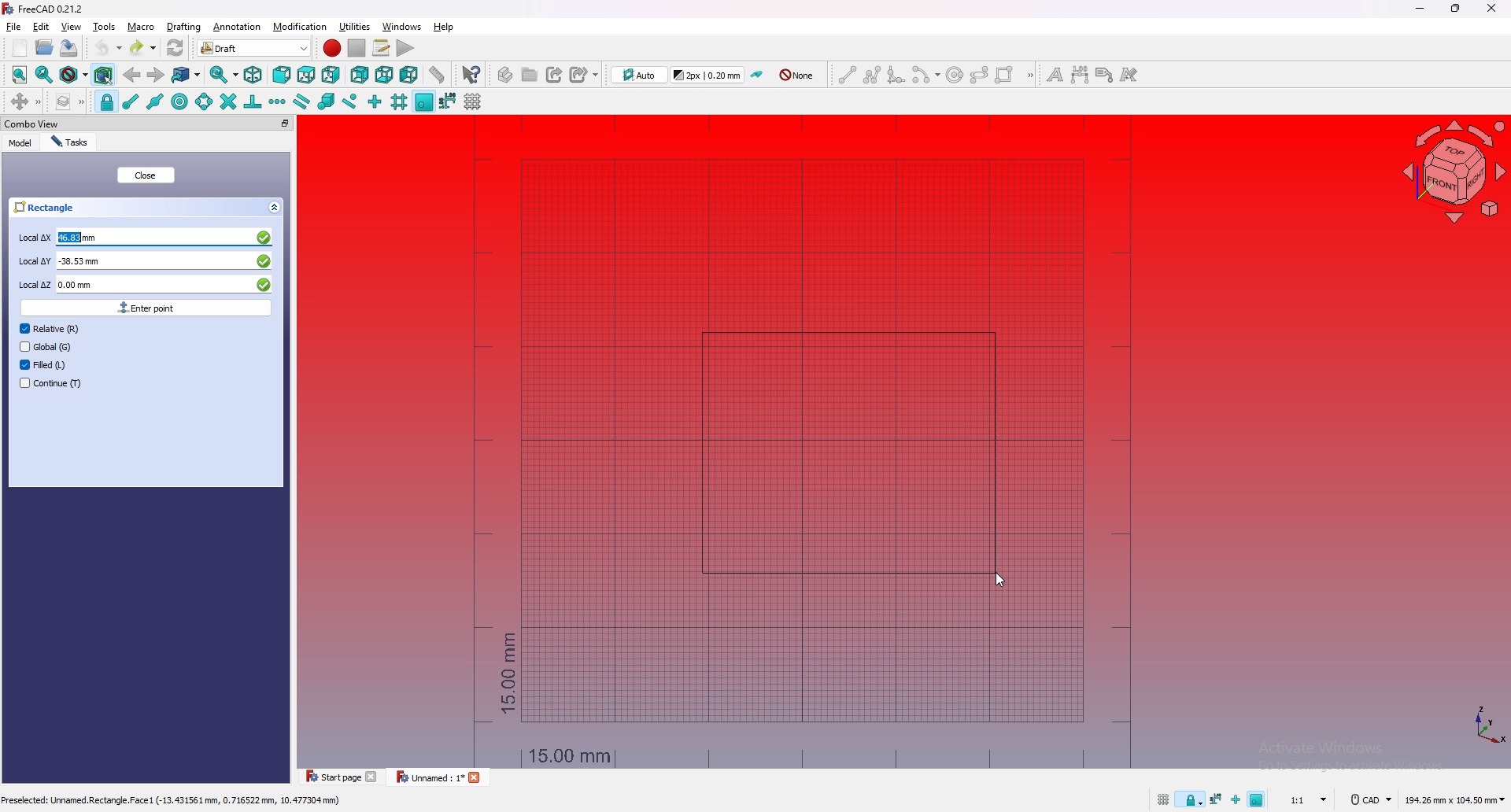 The width and height of the screenshot is (1511, 812). What do you see at coordinates (302, 101) in the screenshot?
I see `snap parallel` at bounding box center [302, 101].